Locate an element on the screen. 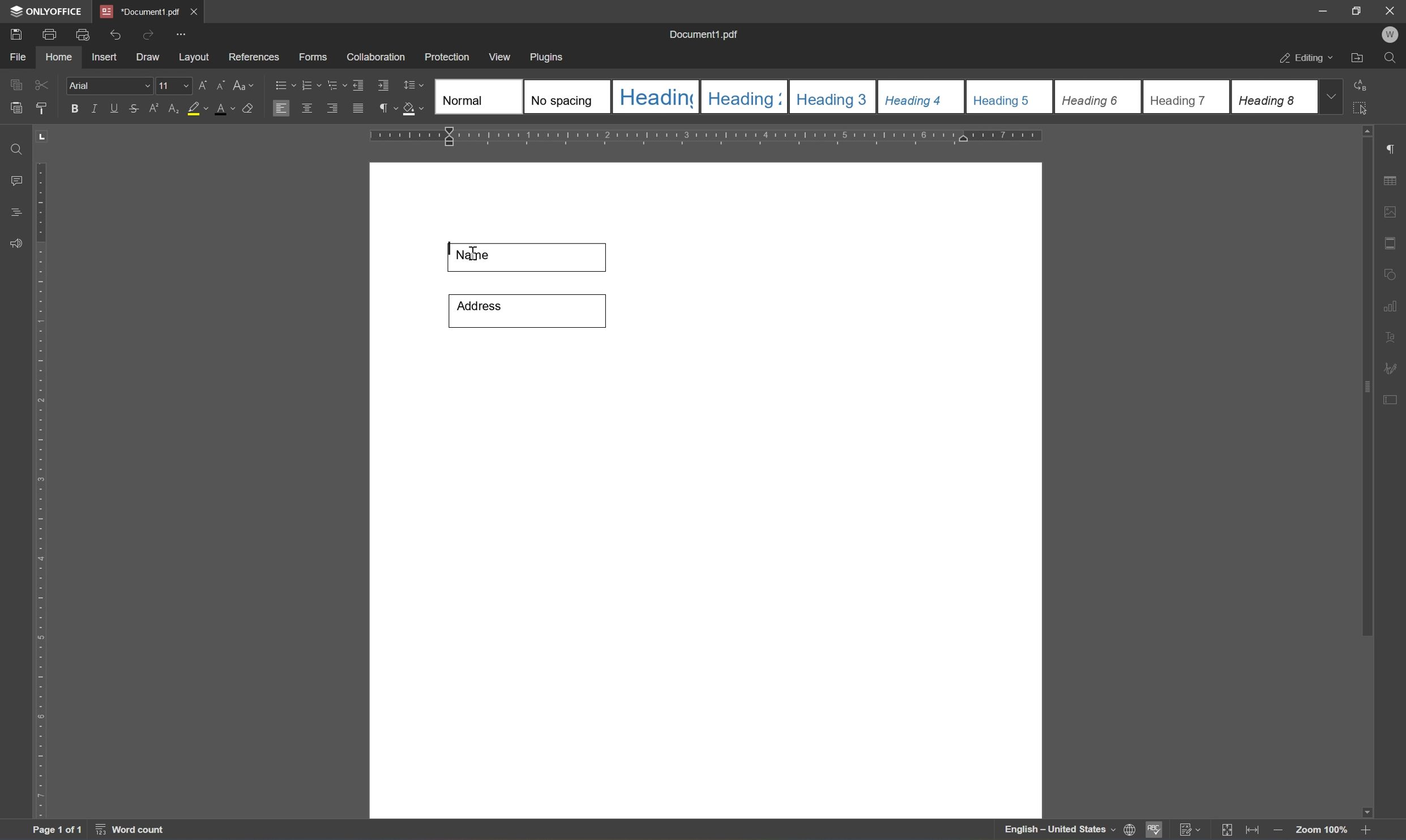 This screenshot has height=840, width=1406. form settings is located at coordinates (1393, 399).